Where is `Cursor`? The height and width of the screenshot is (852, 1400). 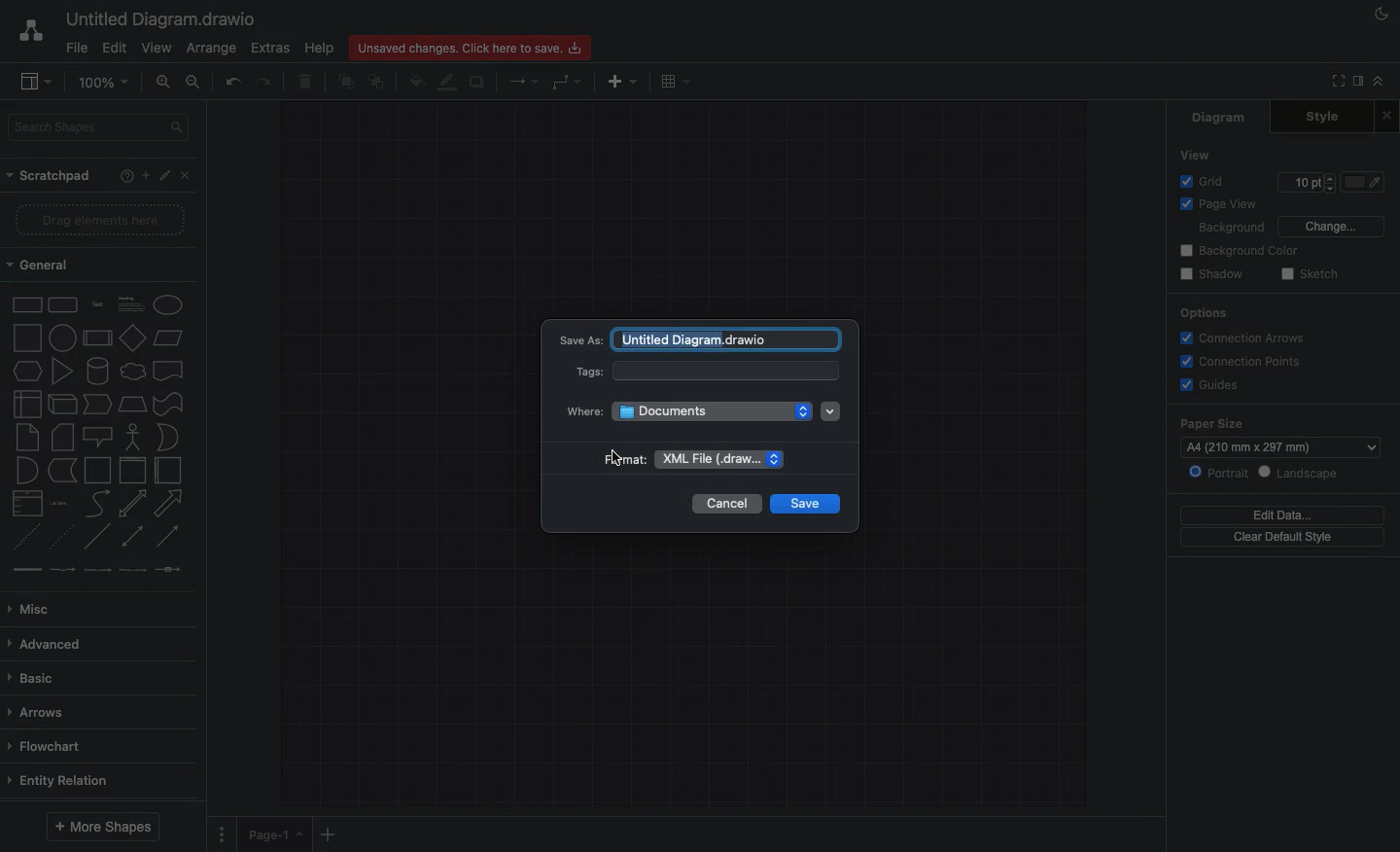 Cursor is located at coordinates (613, 459).